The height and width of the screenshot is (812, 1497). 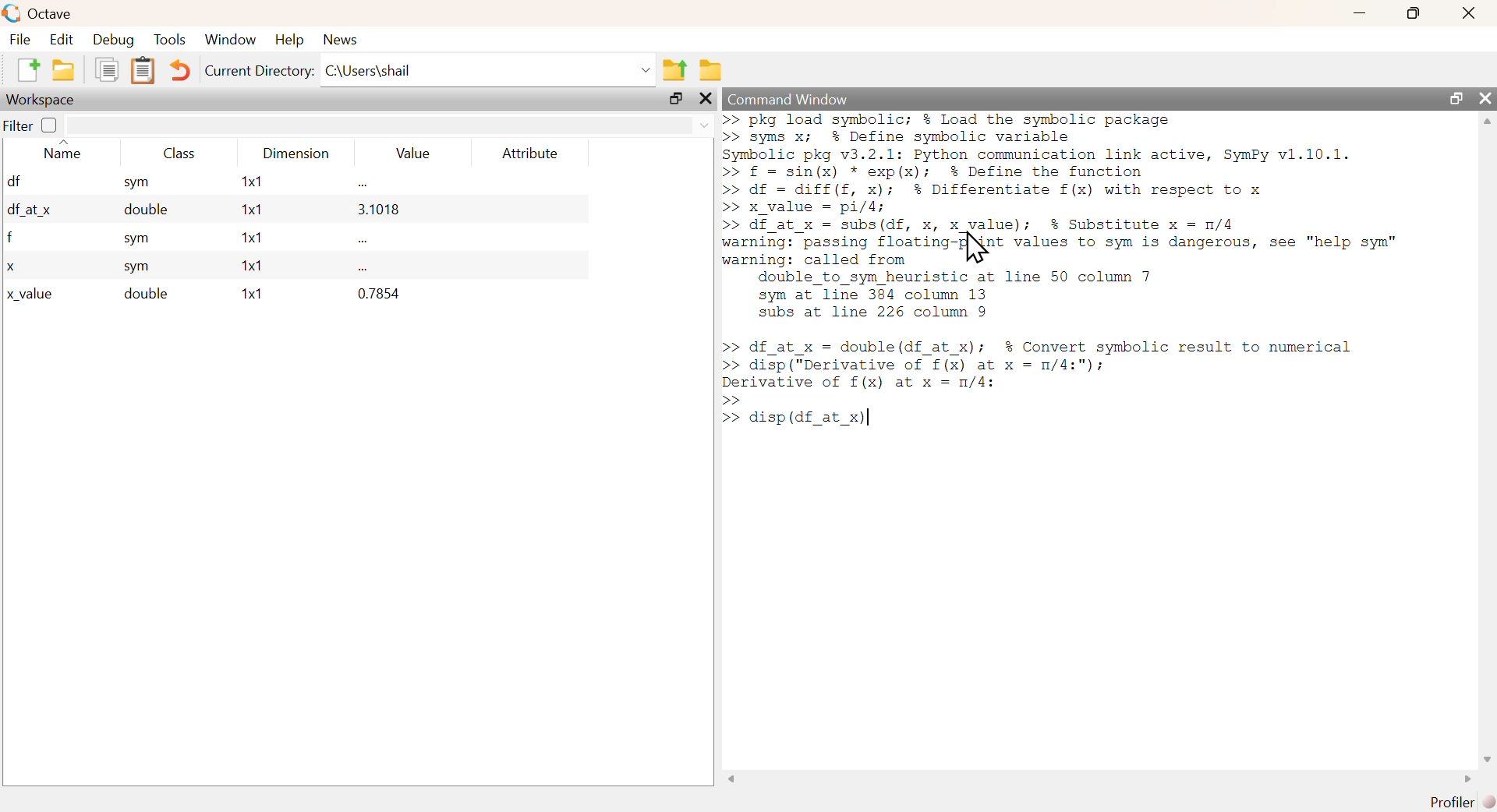 What do you see at coordinates (1449, 802) in the screenshot?
I see `Profiler` at bounding box center [1449, 802].